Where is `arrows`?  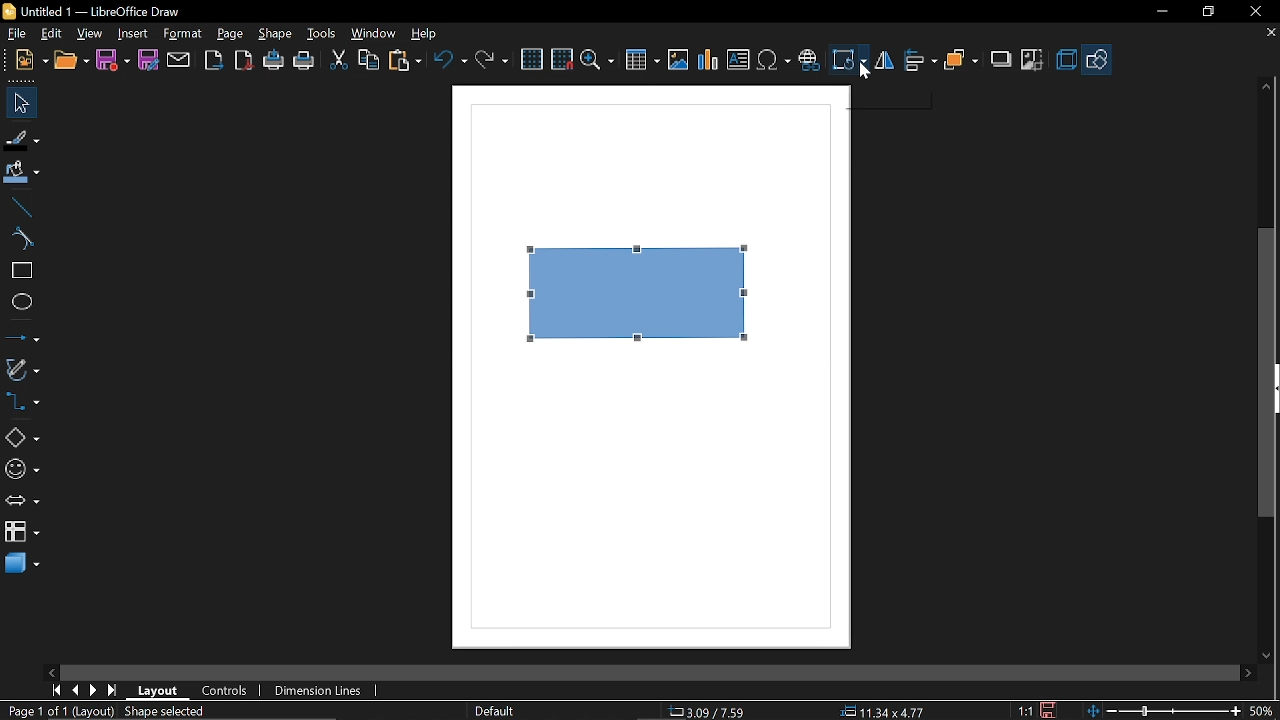 arrows is located at coordinates (22, 503).